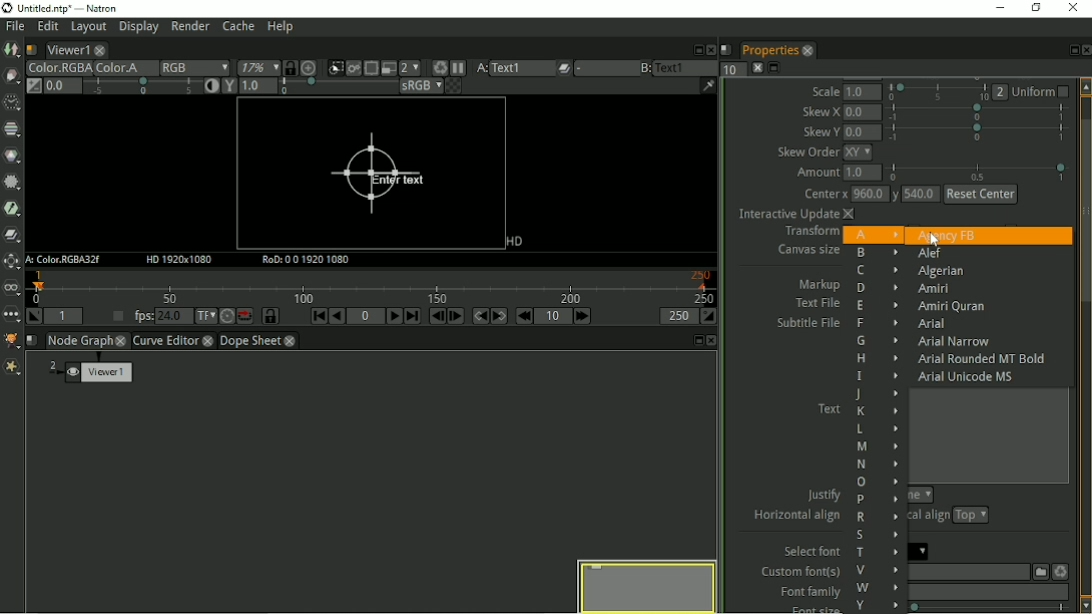 This screenshot has height=614, width=1092. I want to click on Proxy mode, so click(387, 69).